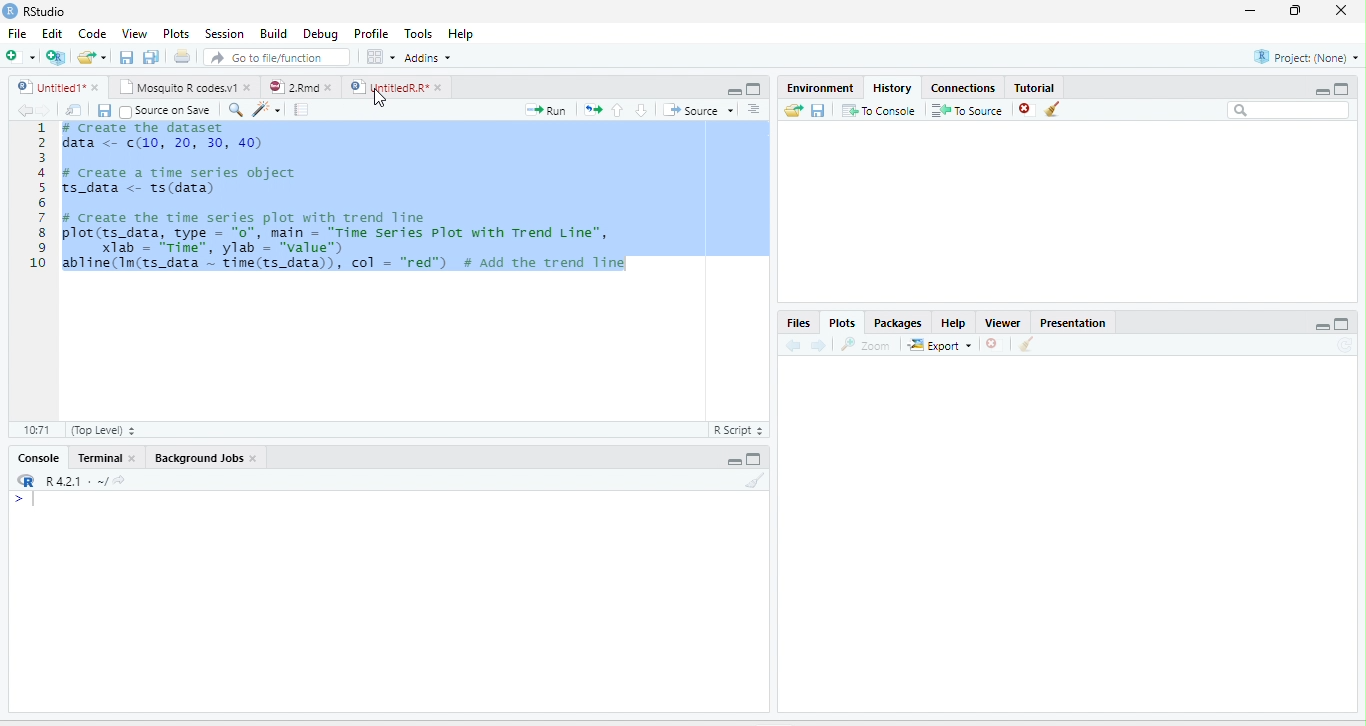 The image size is (1366, 726). What do you see at coordinates (1343, 324) in the screenshot?
I see `Maximize` at bounding box center [1343, 324].